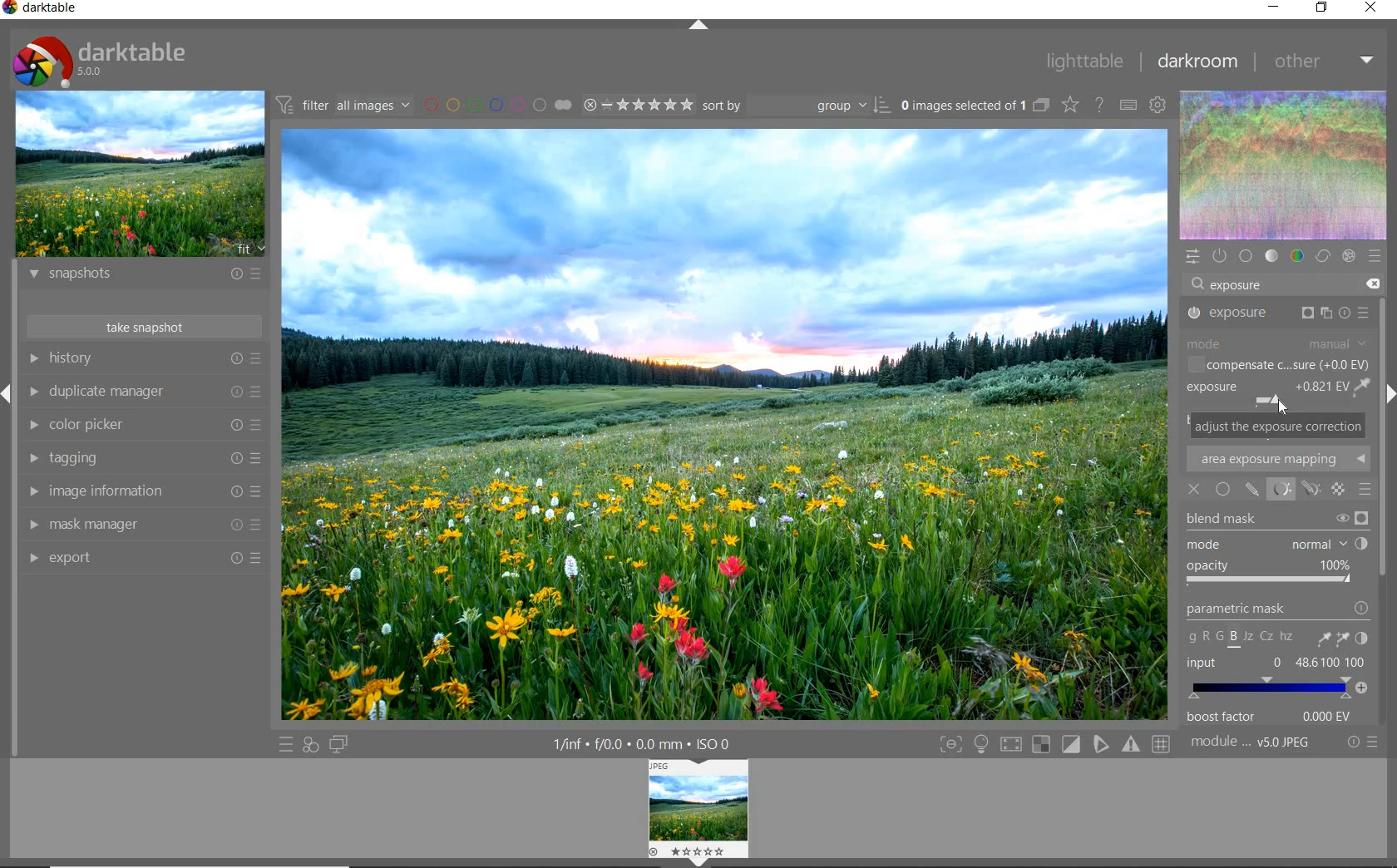 Image resolution: width=1397 pixels, height=868 pixels. I want to click on filter images based on their modules, so click(345, 104).